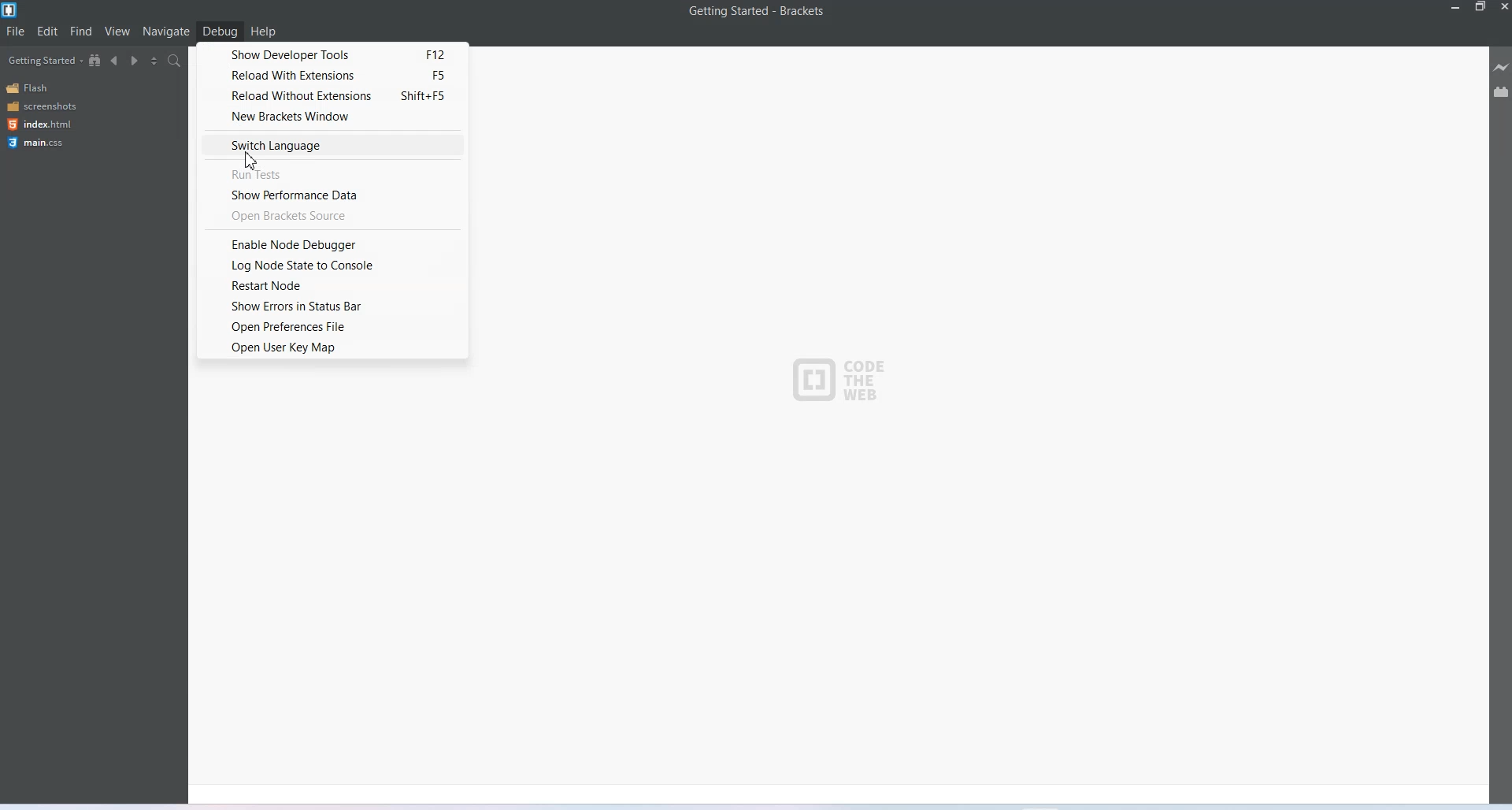  Describe the element at coordinates (330, 95) in the screenshot. I see `Reload without extensions` at that location.